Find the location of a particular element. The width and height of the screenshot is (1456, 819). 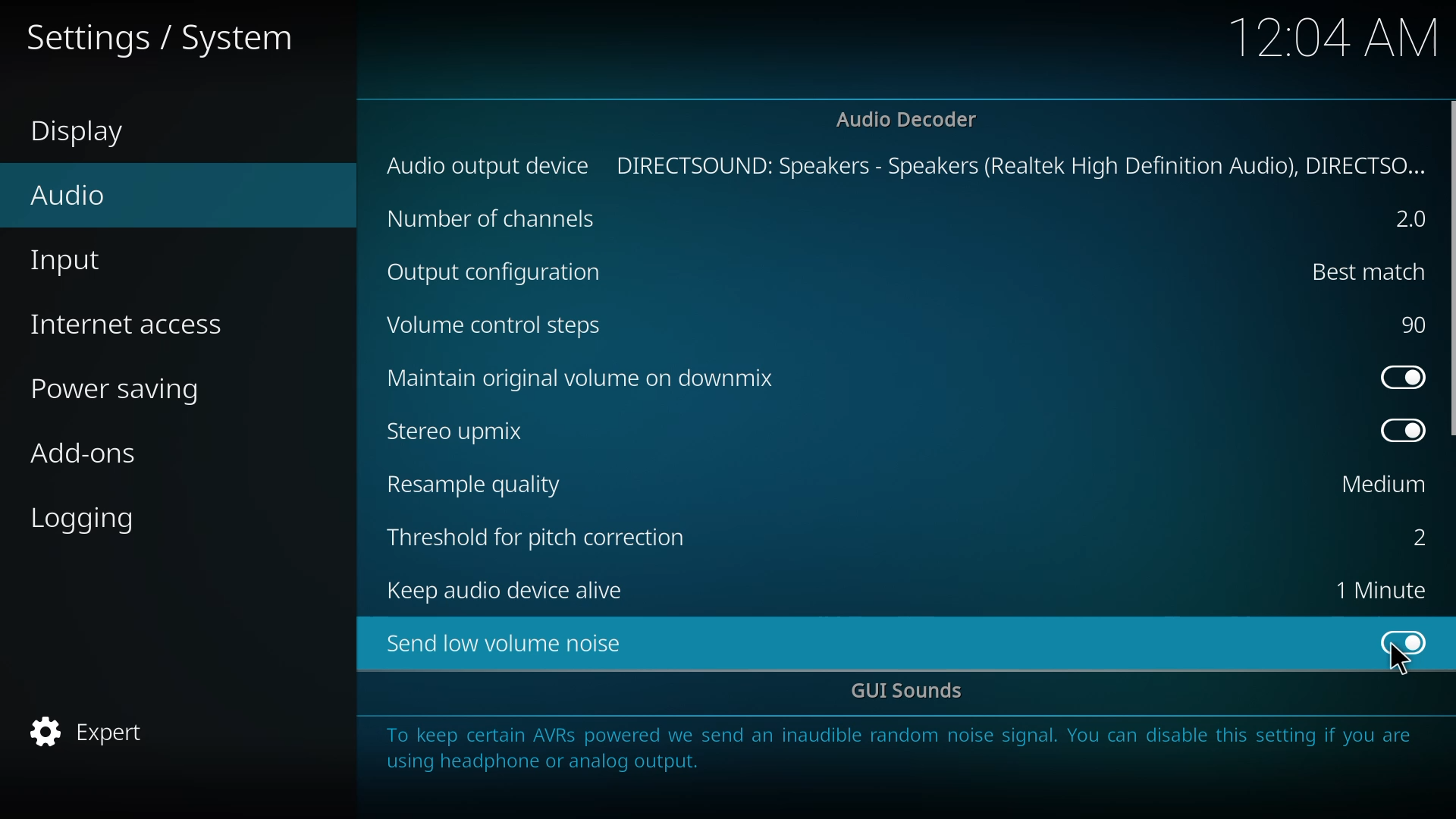

1 is located at coordinates (1379, 590).